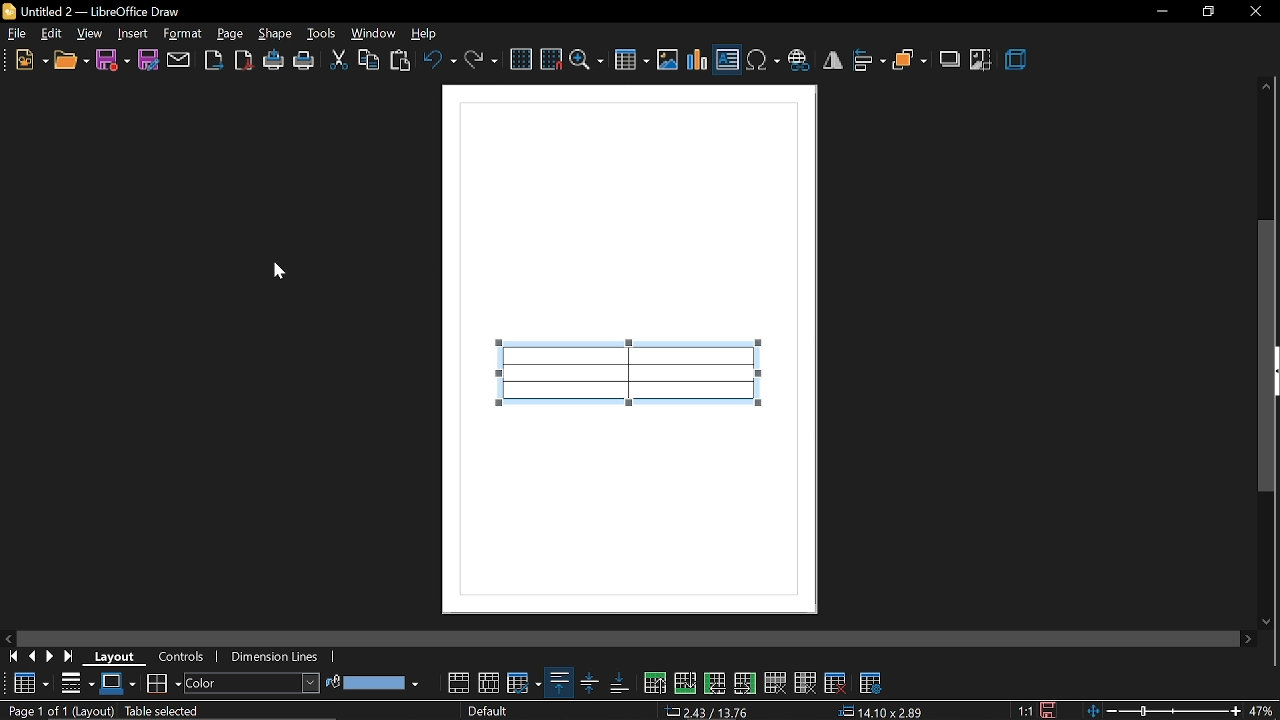  What do you see at coordinates (801, 61) in the screenshot?
I see `insert hyperlink` at bounding box center [801, 61].